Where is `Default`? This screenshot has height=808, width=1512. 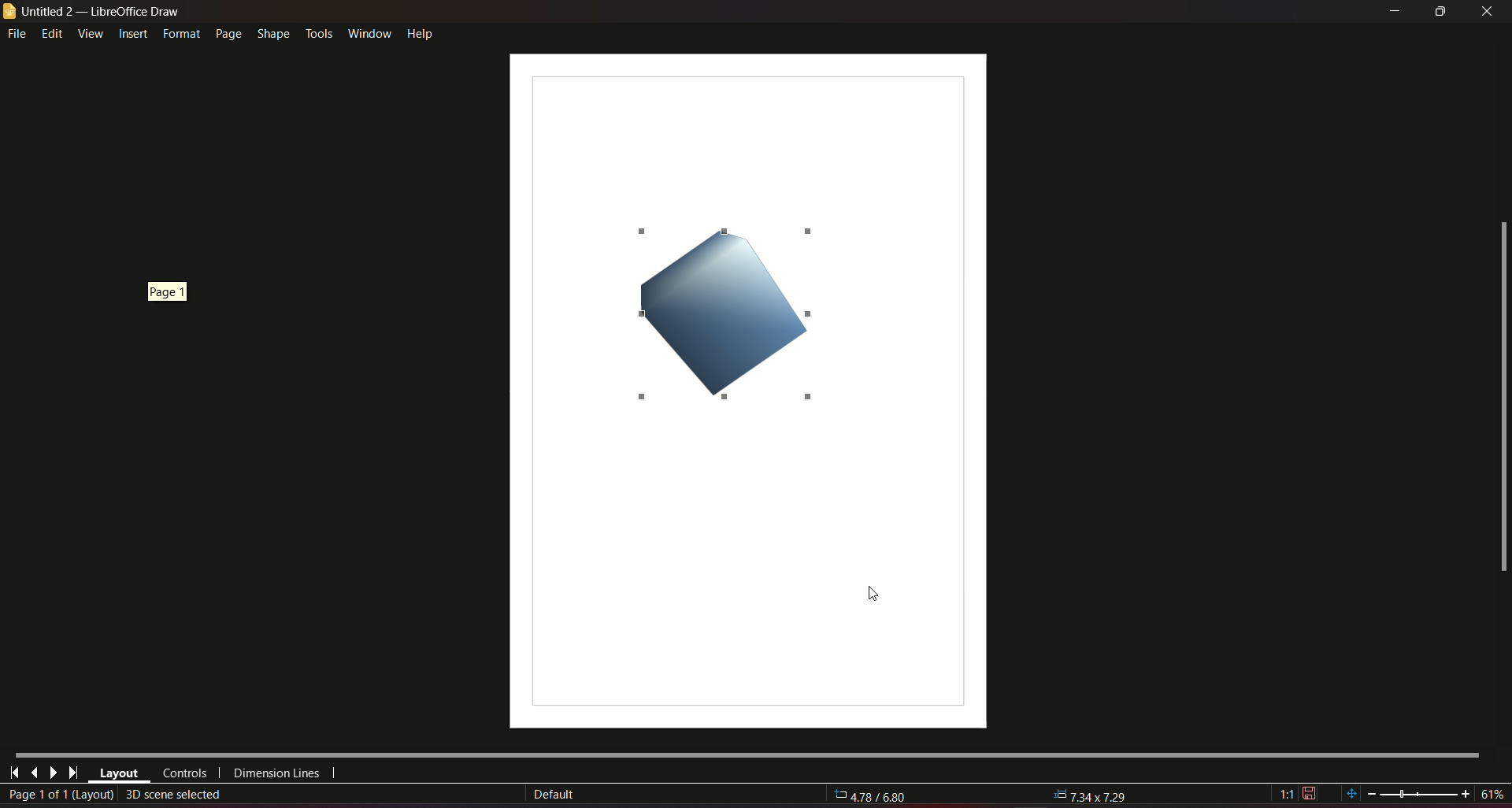 Default is located at coordinates (554, 795).